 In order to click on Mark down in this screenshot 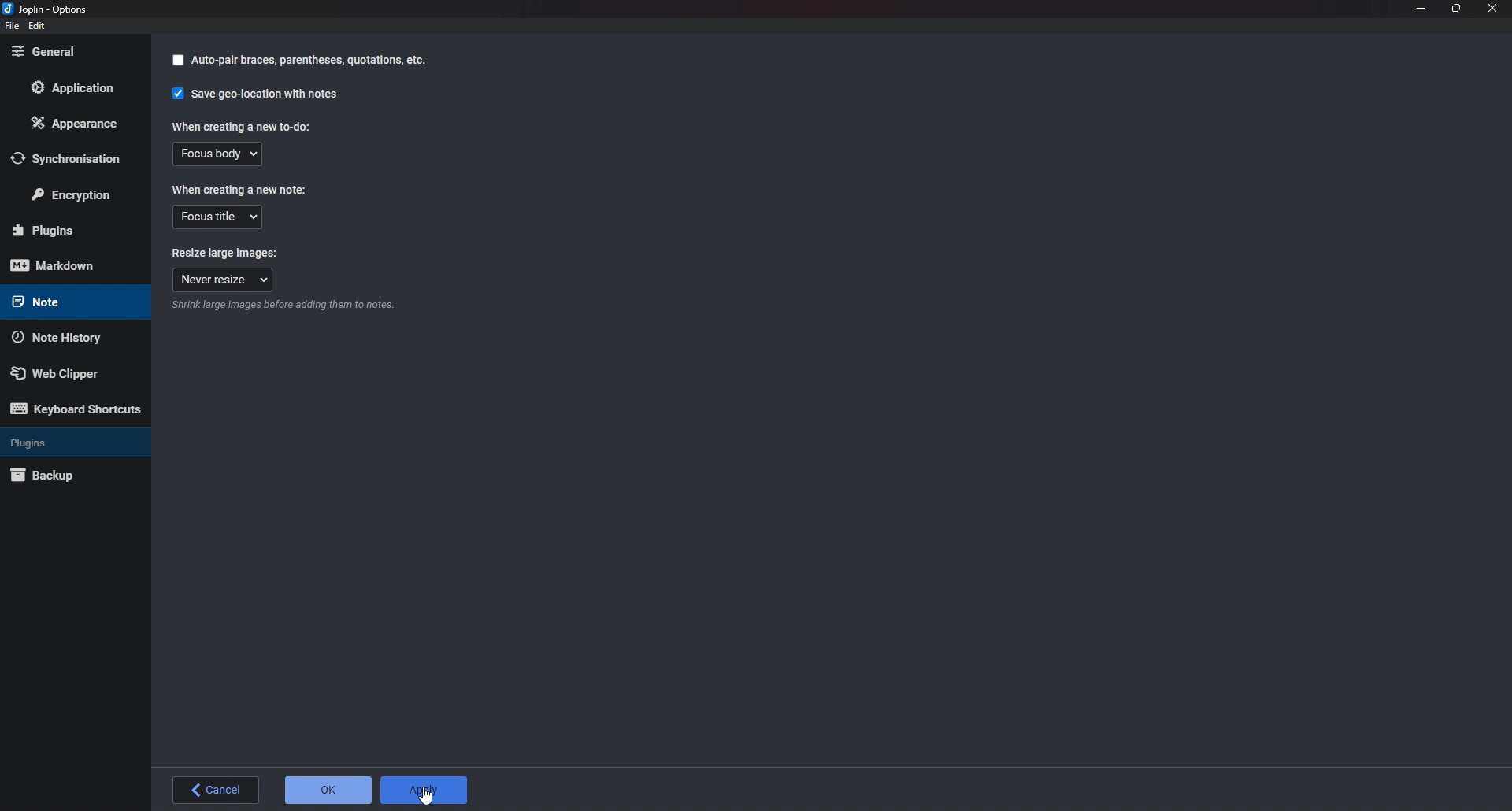, I will do `click(69, 265)`.